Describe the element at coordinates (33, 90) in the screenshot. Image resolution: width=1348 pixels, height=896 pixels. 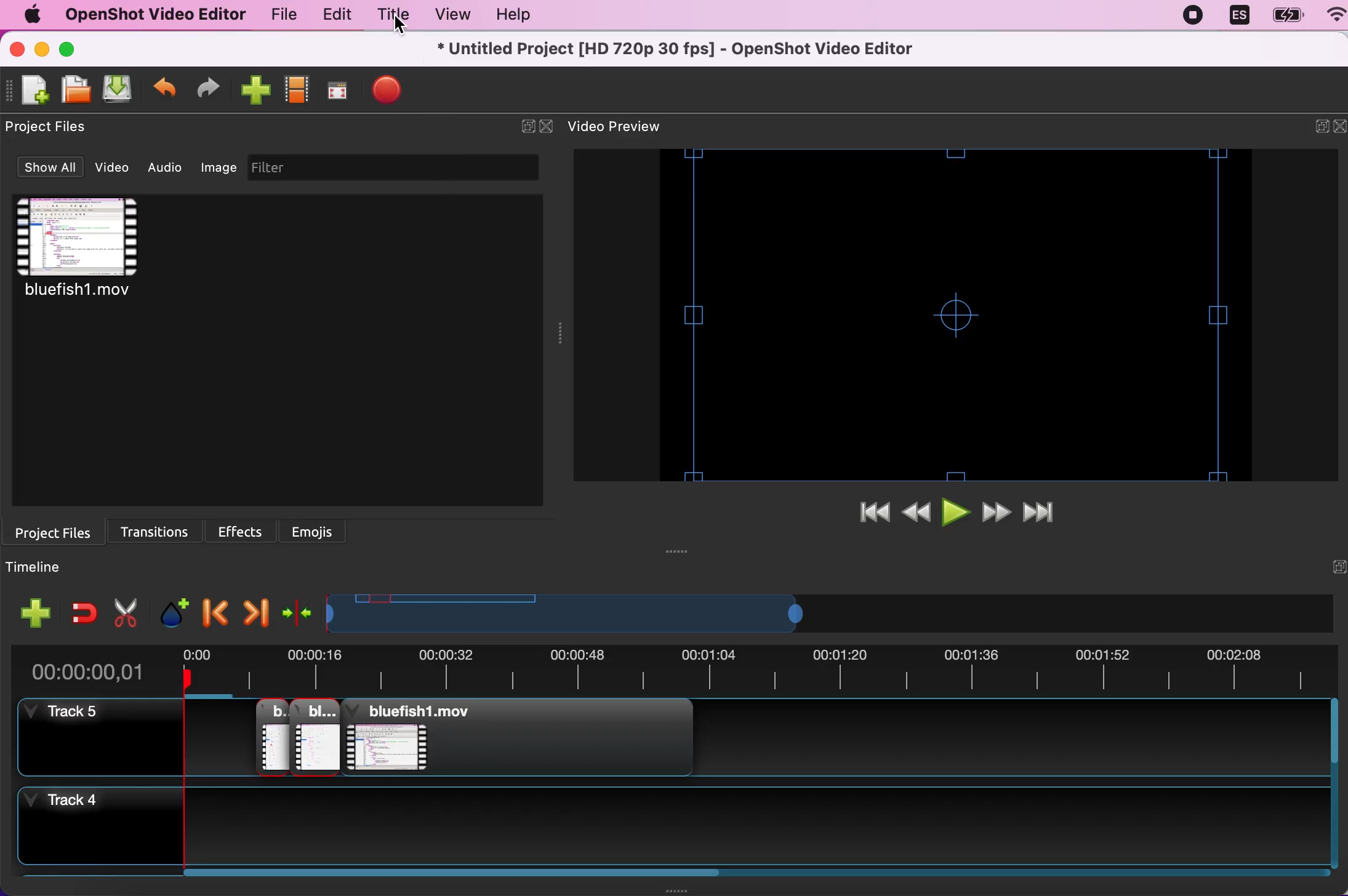
I see `new project` at that location.